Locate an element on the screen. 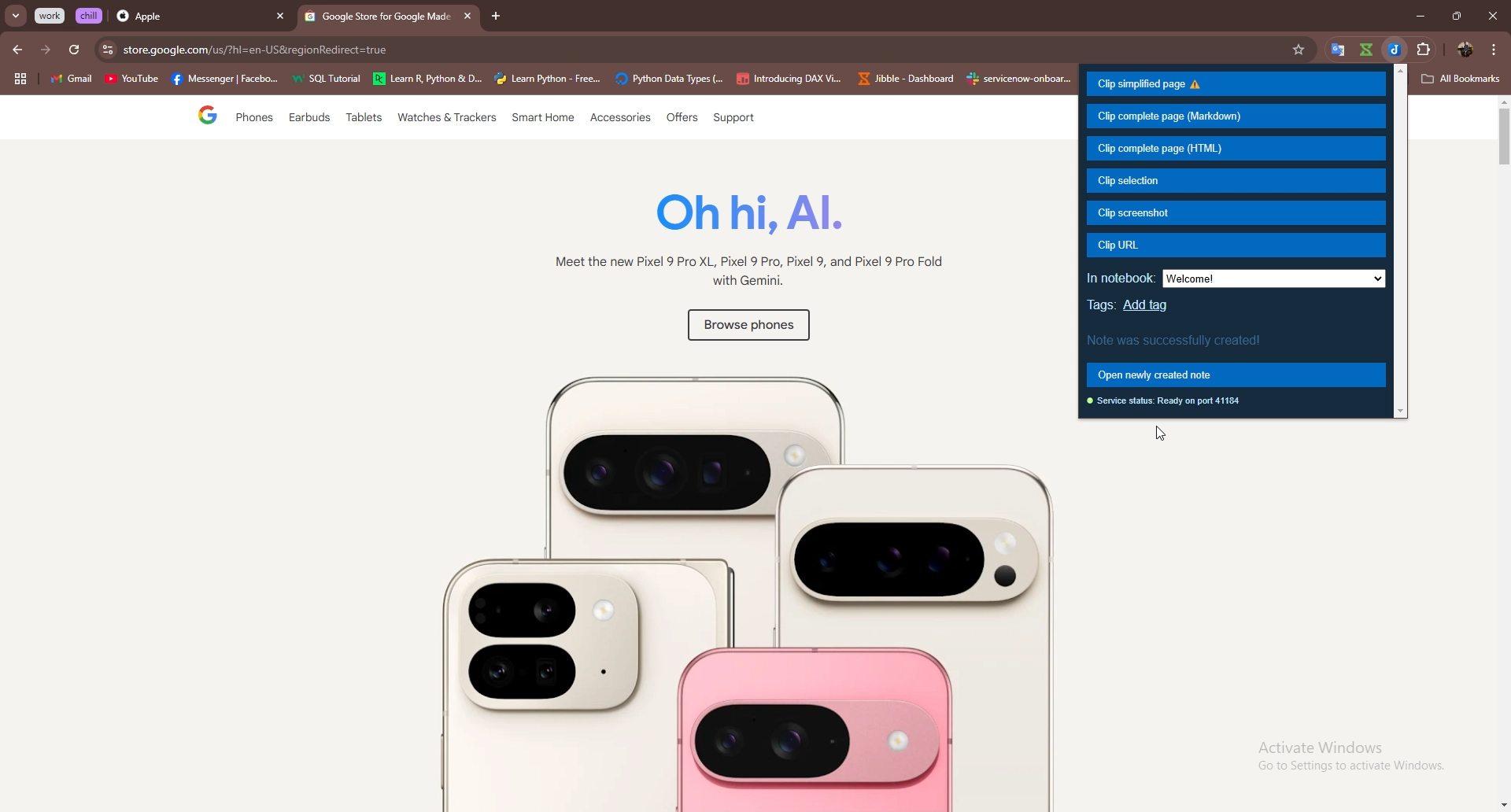 Image resolution: width=1511 pixels, height=812 pixels. clip complete page (html) is located at coordinates (1236, 149).